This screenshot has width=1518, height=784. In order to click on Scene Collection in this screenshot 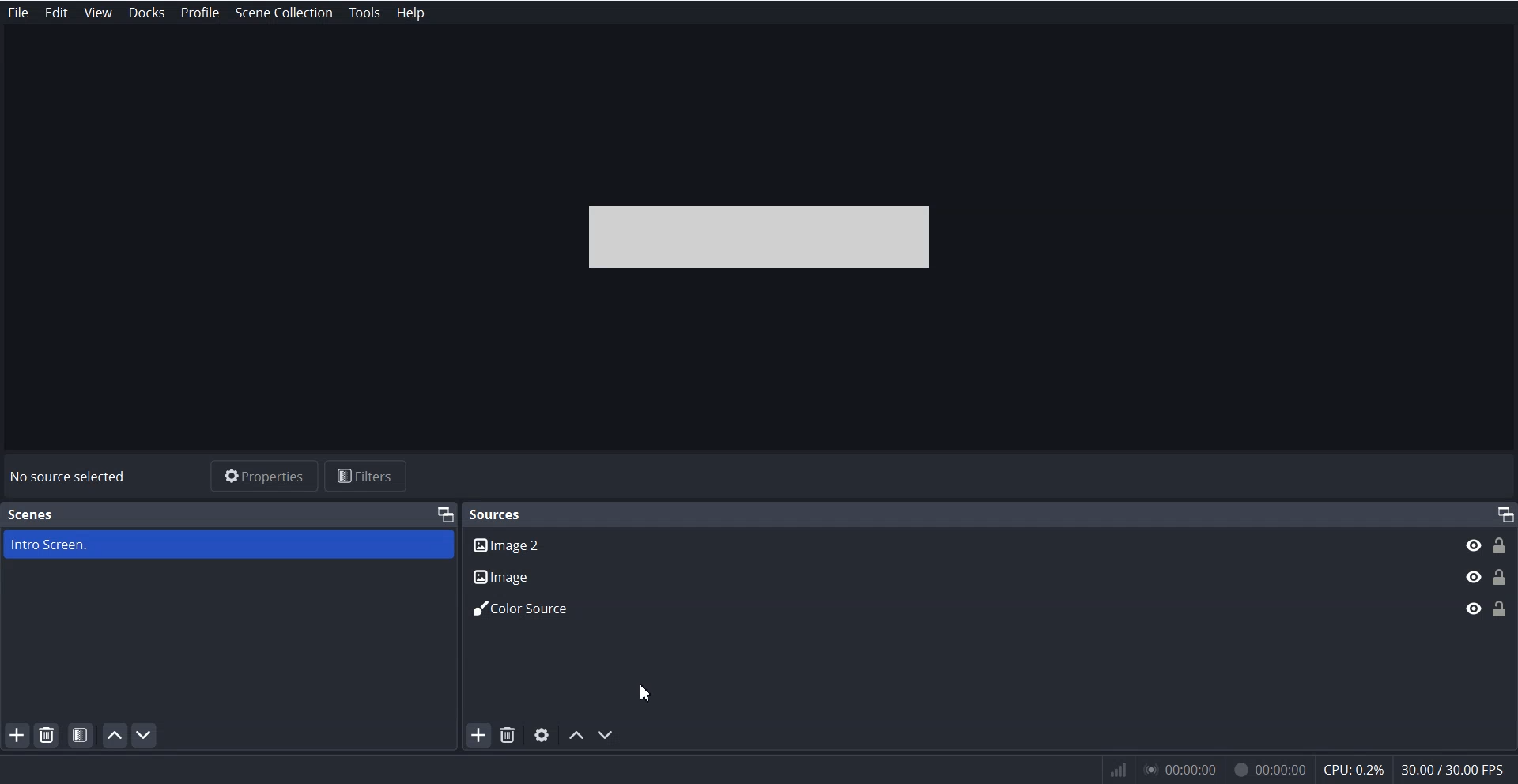, I will do `click(285, 13)`.